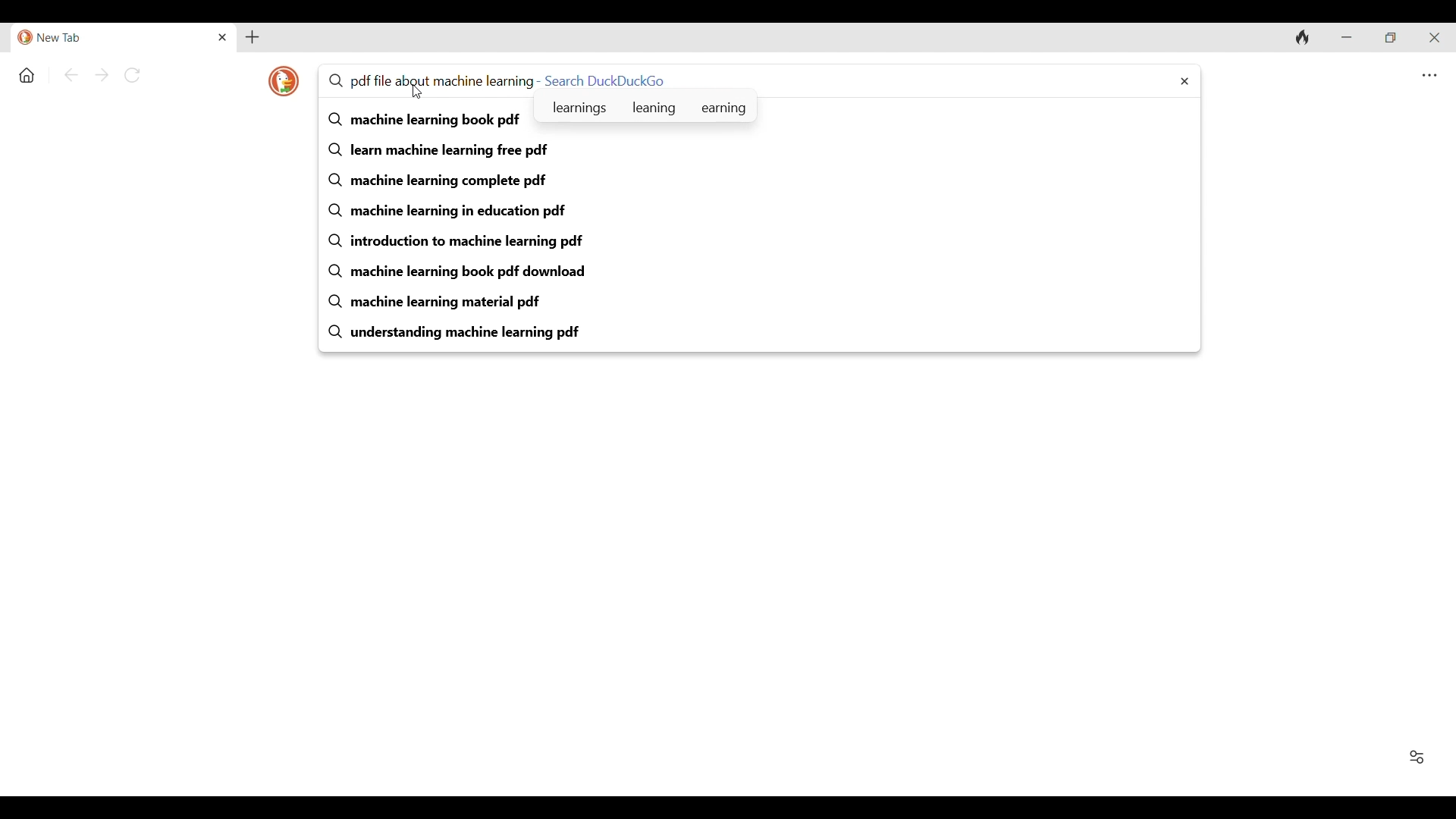 This screenshot has width=1456, height=819. I want to click on Reload page, so click(132, 75).